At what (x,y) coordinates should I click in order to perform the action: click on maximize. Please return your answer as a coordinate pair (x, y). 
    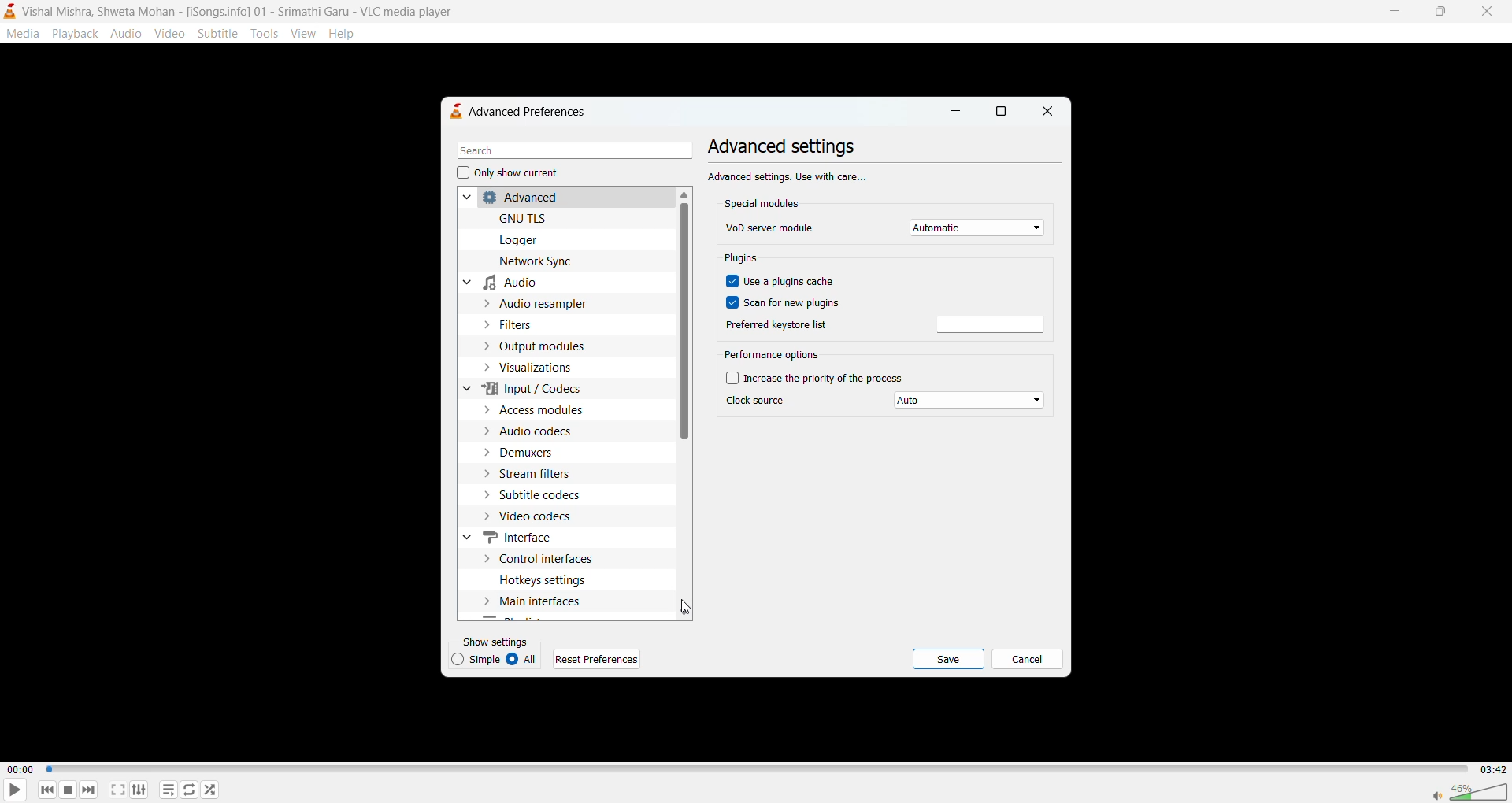
    Looking at the image, I should click on (1436, 13).